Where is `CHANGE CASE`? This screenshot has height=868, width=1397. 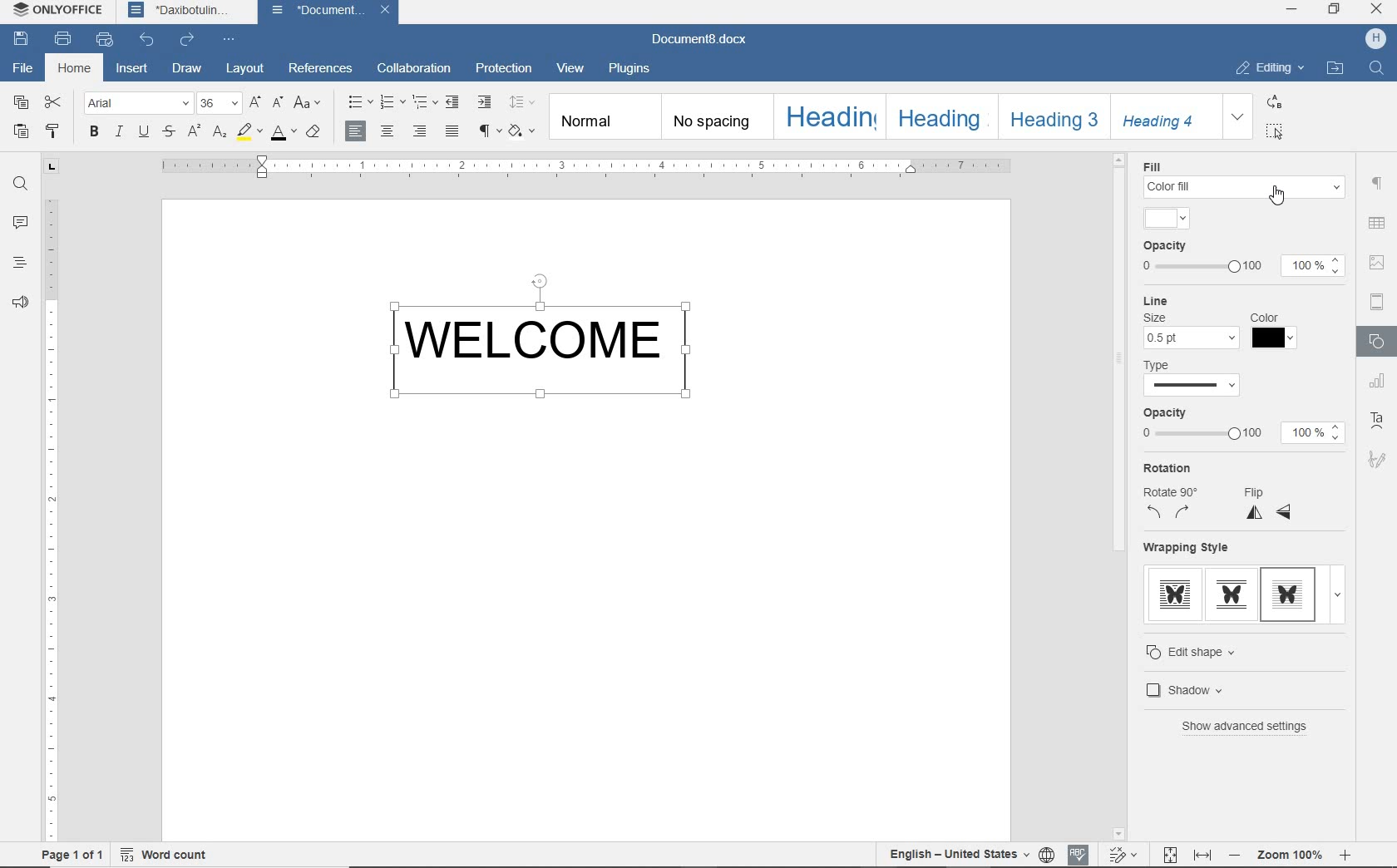
CHANGE CASE is located at coordinates (309, 103).